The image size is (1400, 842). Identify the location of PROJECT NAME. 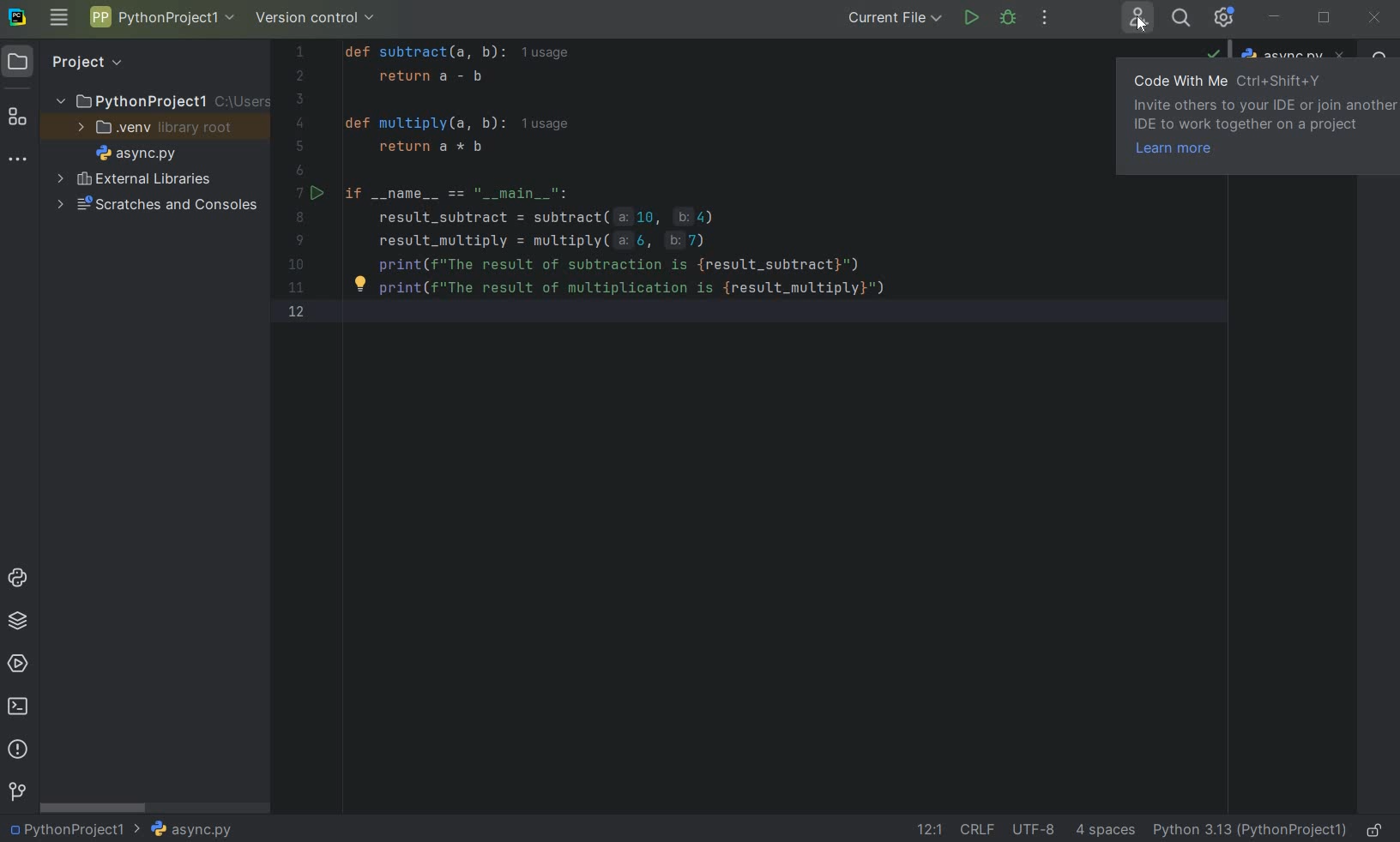
(160, 99).